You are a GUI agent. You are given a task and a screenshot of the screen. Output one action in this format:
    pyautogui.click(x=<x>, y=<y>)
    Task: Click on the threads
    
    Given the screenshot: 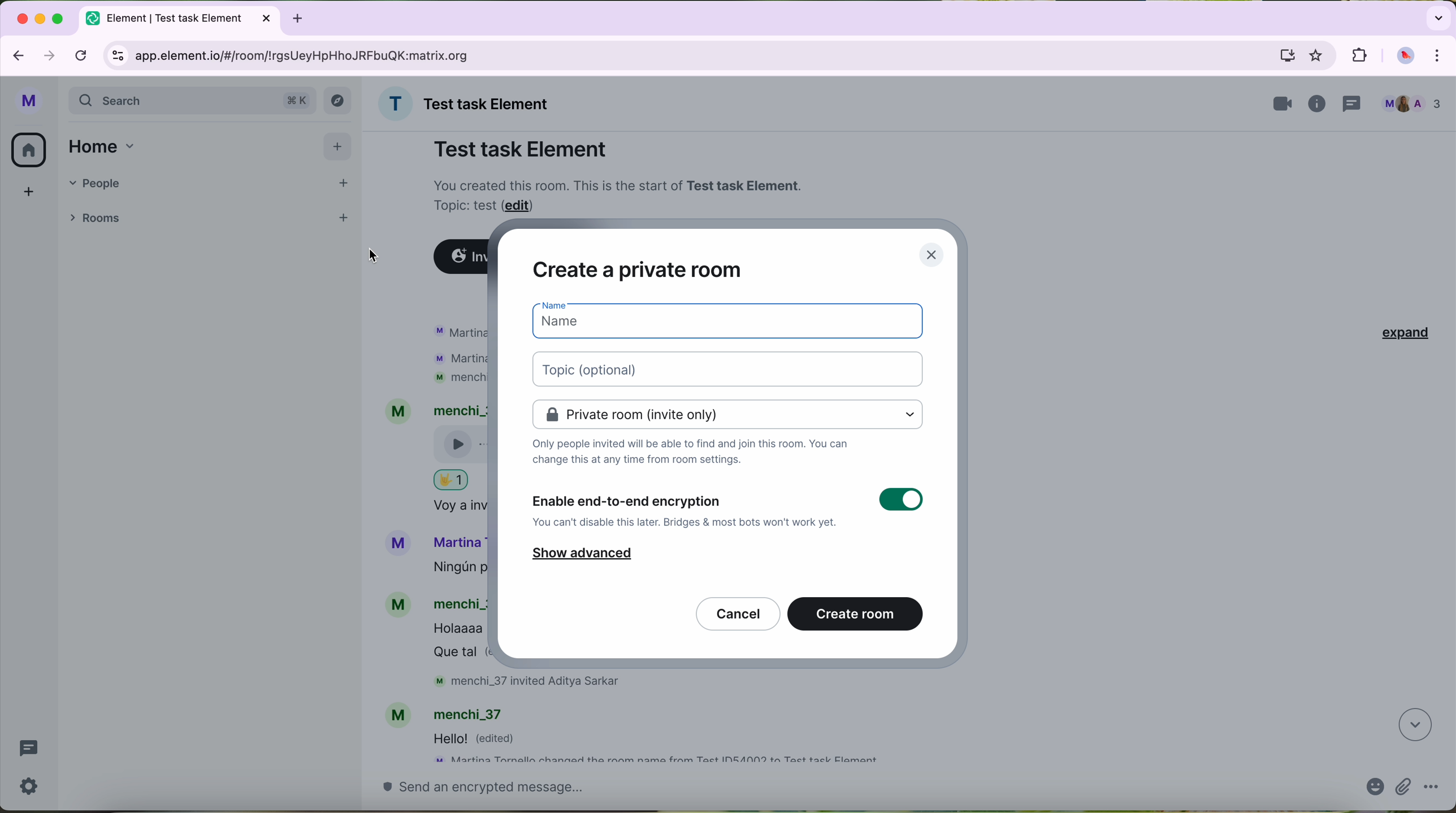 What is the action you would take?
    pyautogui.click(x=28, y=750)
    